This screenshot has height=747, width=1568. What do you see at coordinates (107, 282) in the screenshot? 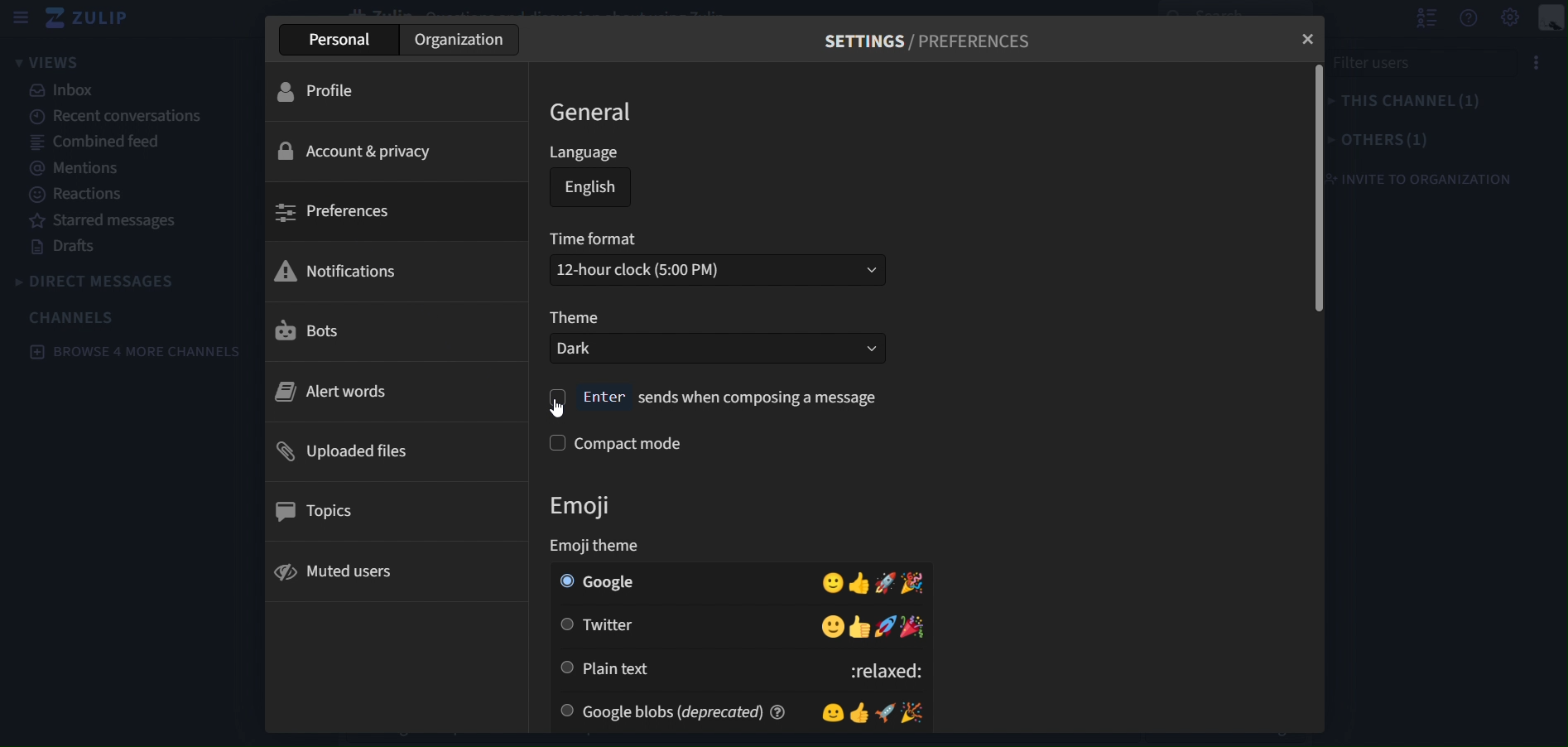
I see `direct messages` at bounding box center [107, 282].